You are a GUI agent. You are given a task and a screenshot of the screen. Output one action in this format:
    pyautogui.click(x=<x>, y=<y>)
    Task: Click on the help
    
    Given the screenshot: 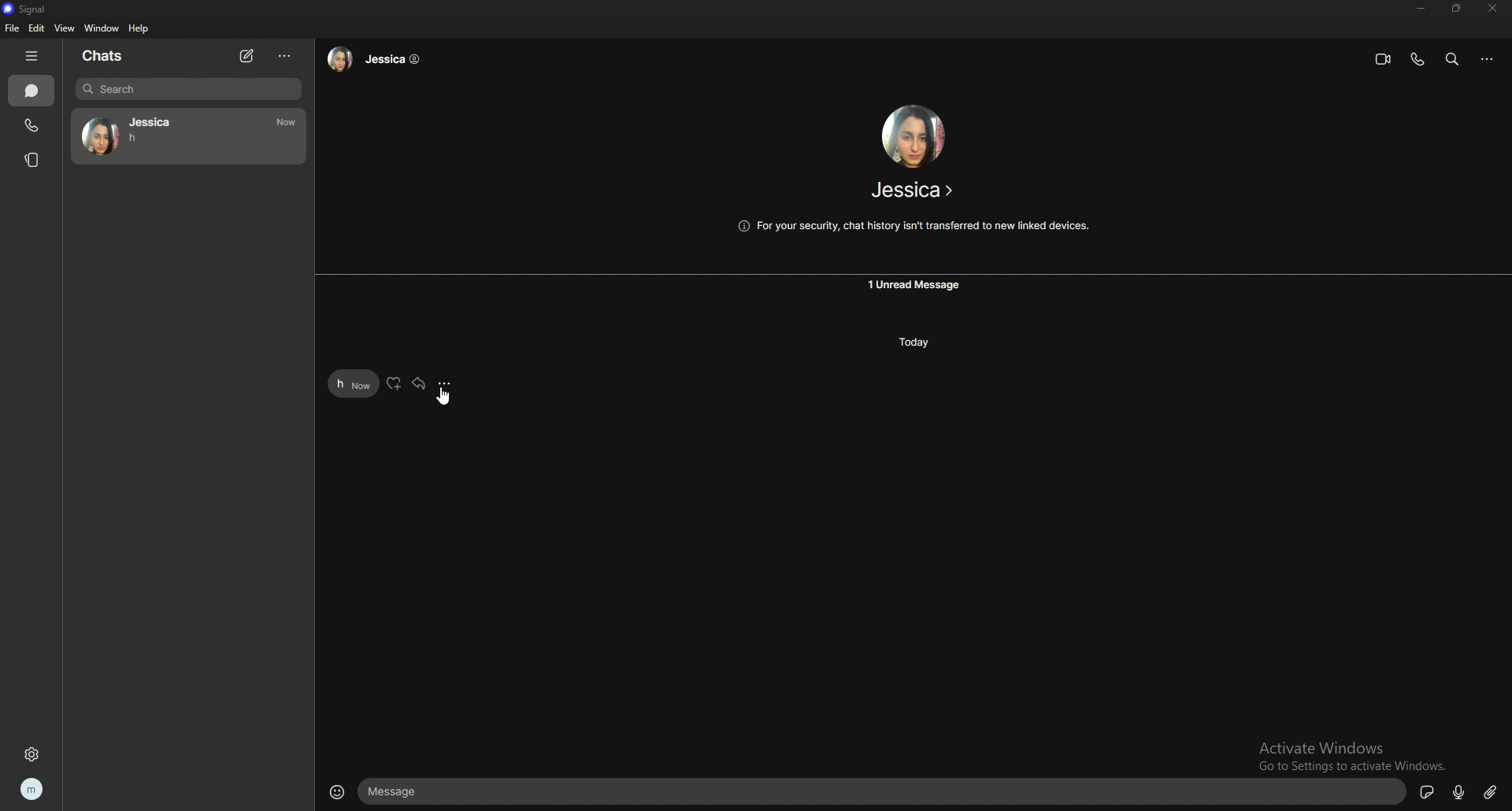 What is the action you would take?
    pyautogui.click(x=140, y=28)
    